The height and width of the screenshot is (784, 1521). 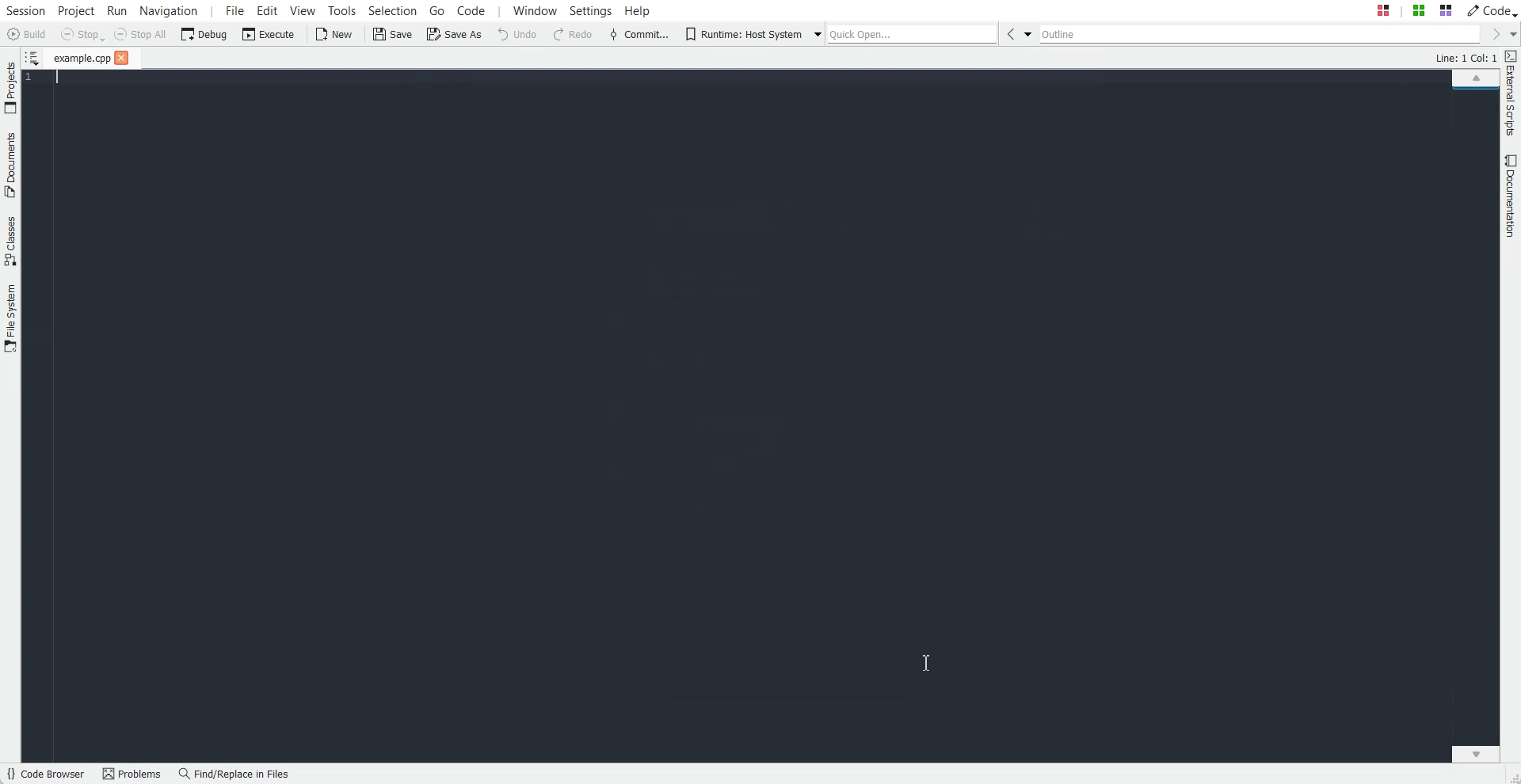 I want to click on Code, so click(x=1492, y=10).